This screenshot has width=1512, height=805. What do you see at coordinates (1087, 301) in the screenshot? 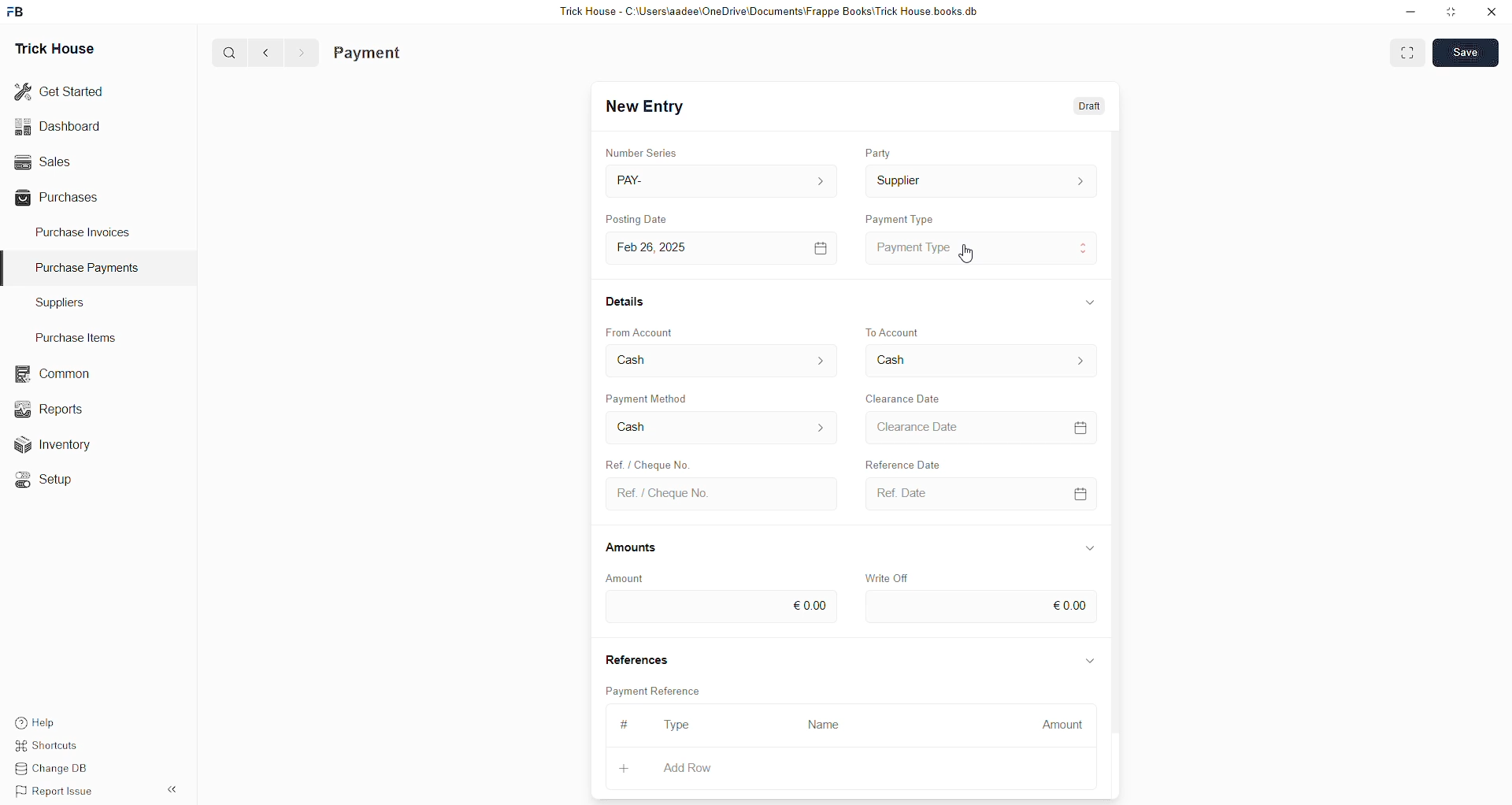
I see `expand` at bounding box center [1087, 301].